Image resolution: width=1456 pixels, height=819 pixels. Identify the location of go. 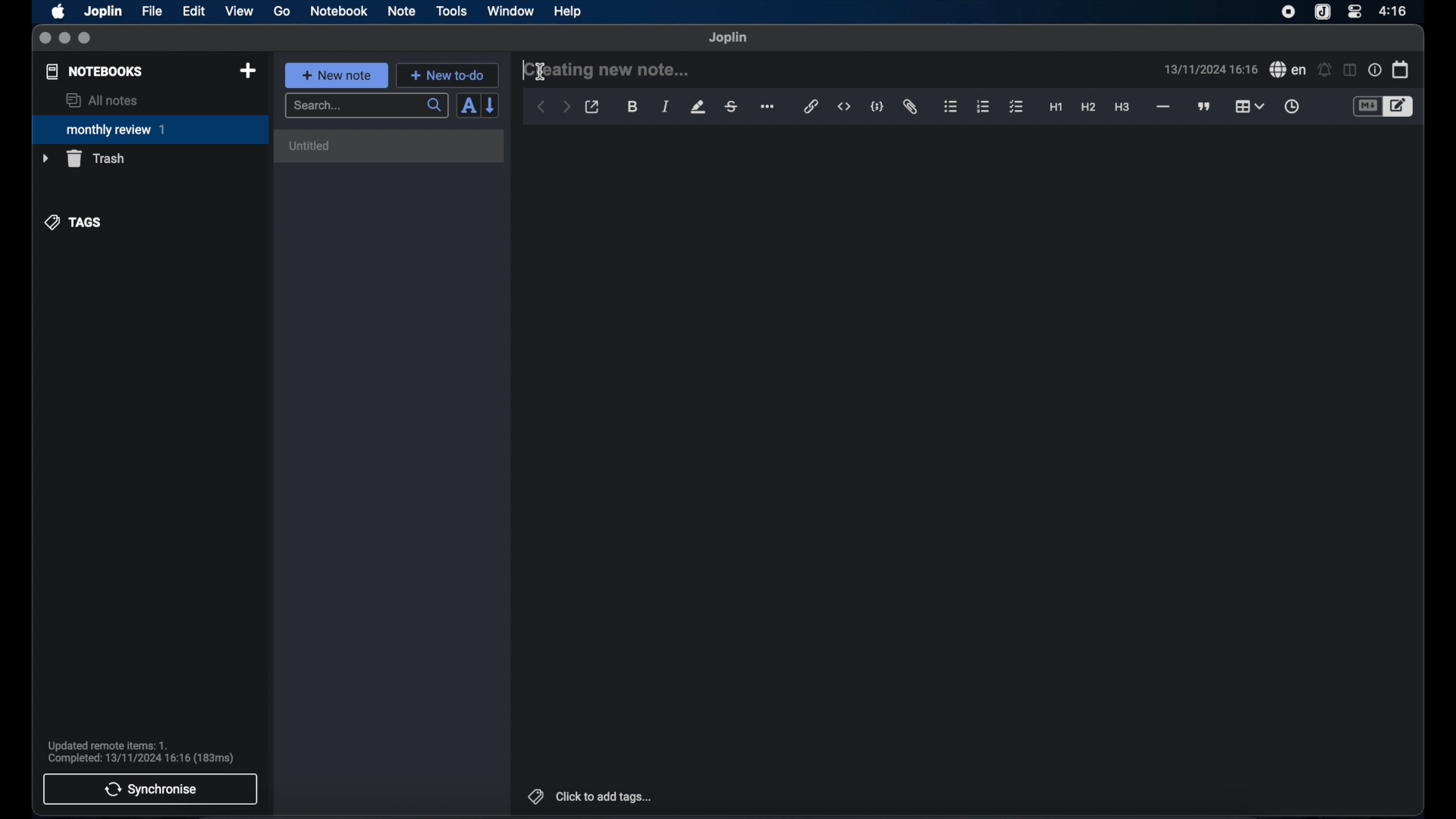
(282, 11).